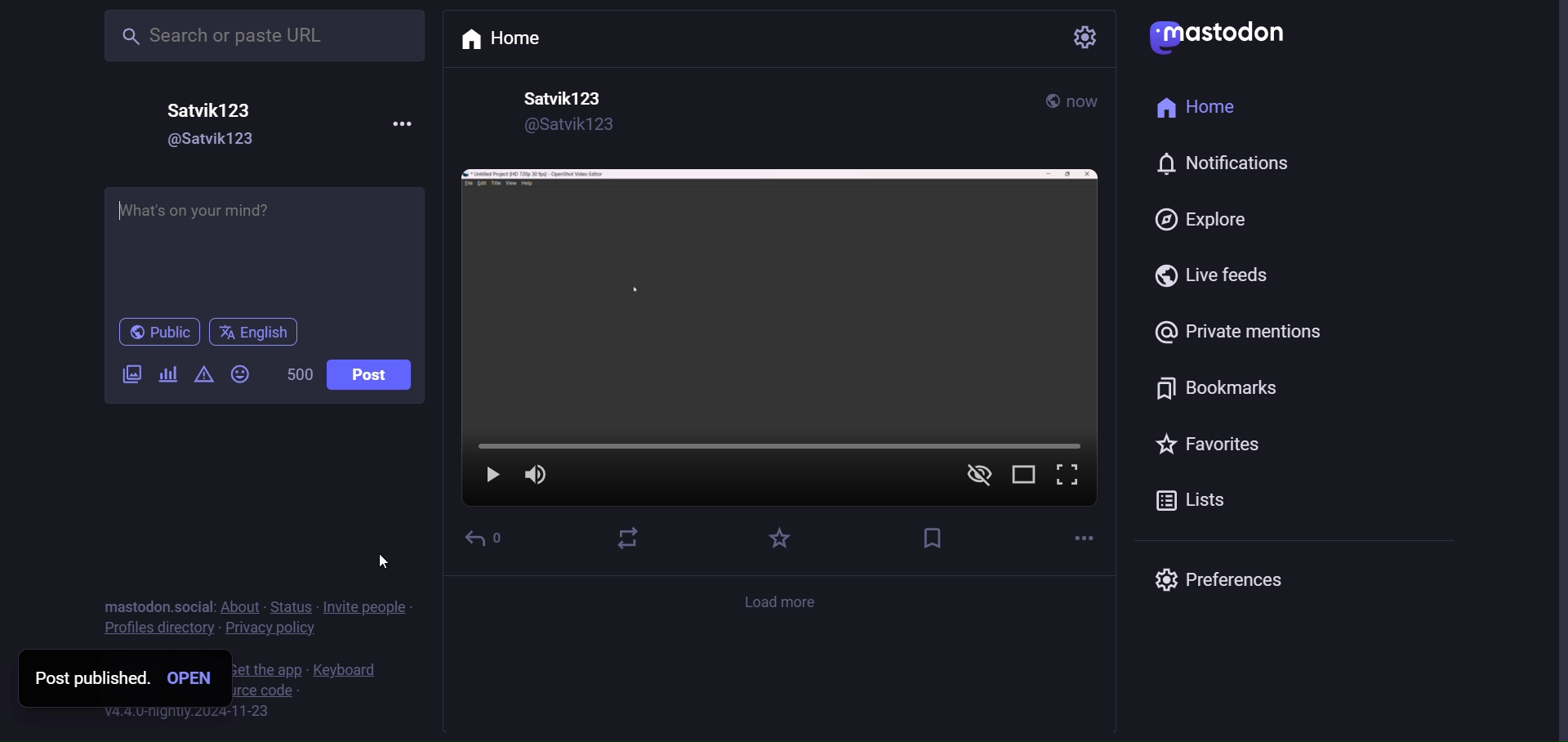  I want to click on status, so click(290, 606).